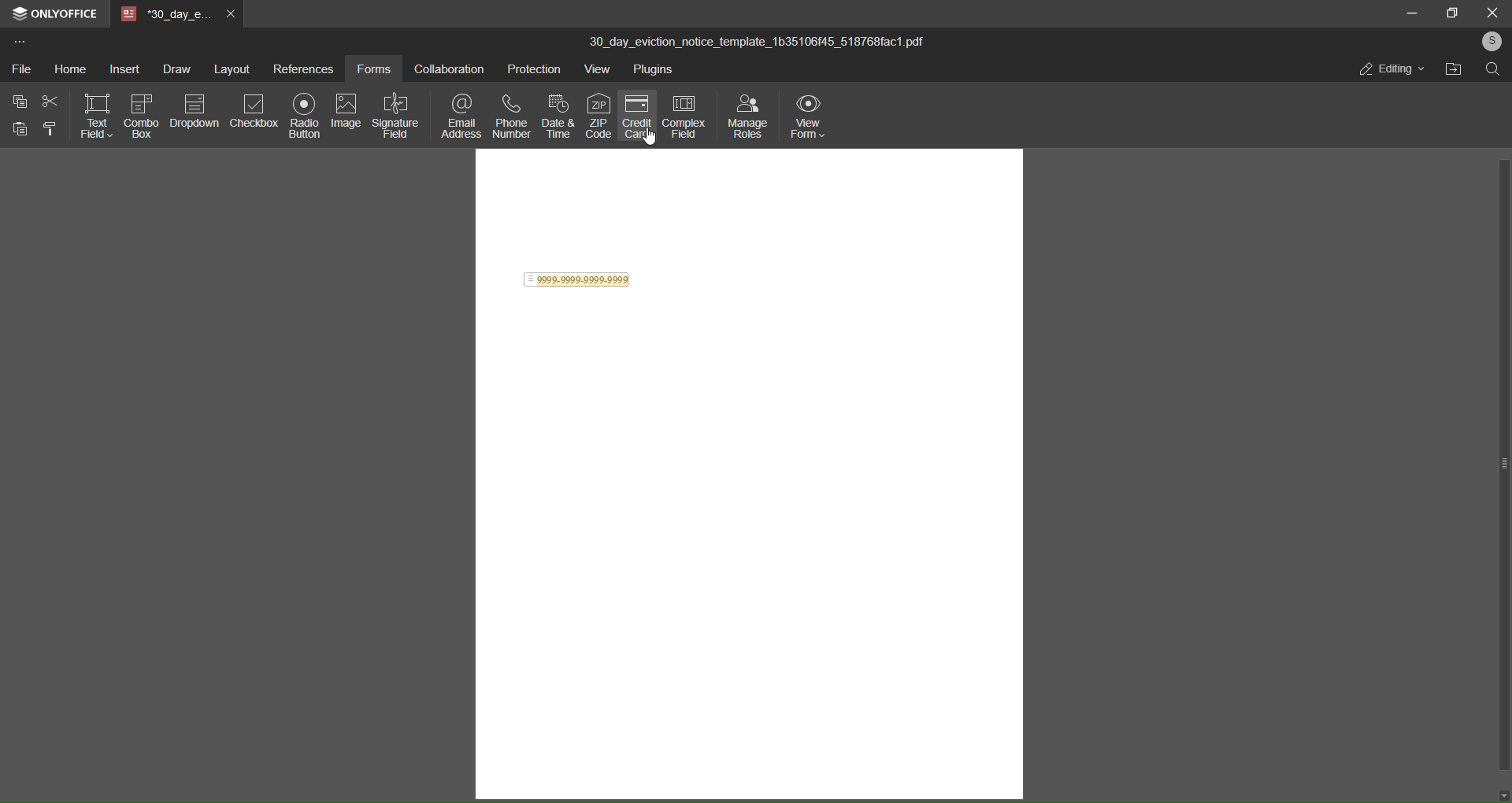  I want to click on Cursor, so click(647, 140).